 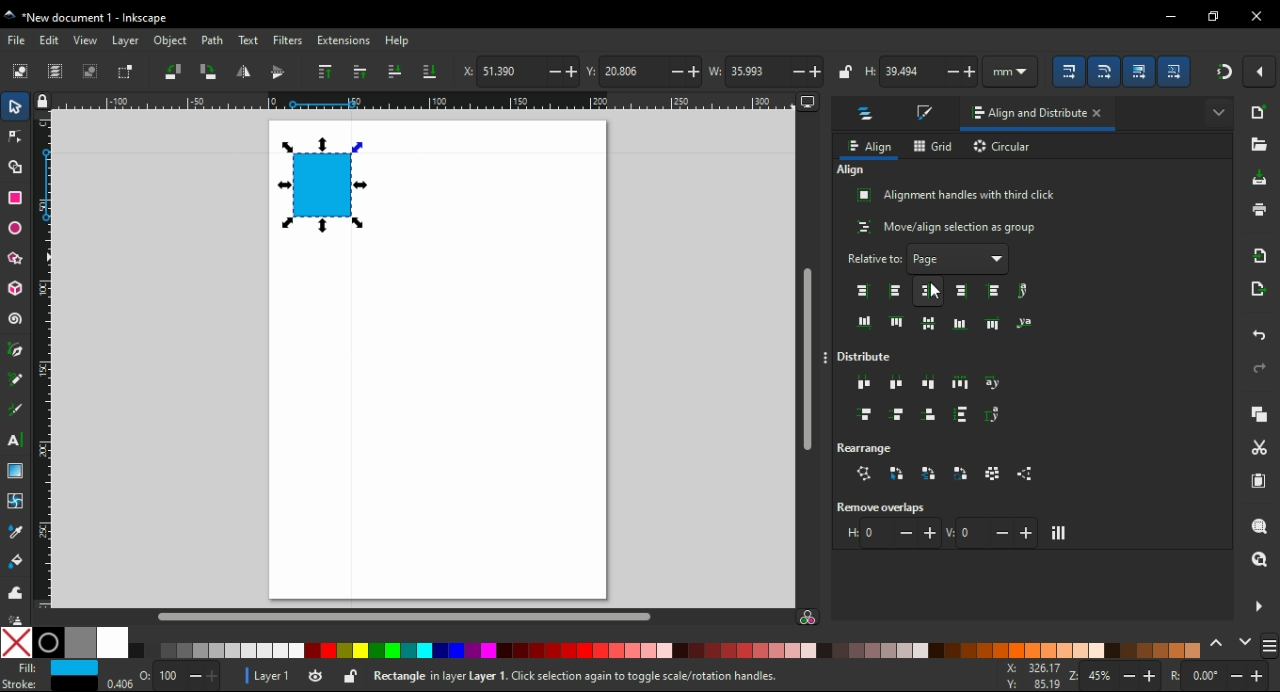 What do you see at coordinates (15, 319) in the screenshot?
I see `spiral tool` at bounding box center [15, 319].